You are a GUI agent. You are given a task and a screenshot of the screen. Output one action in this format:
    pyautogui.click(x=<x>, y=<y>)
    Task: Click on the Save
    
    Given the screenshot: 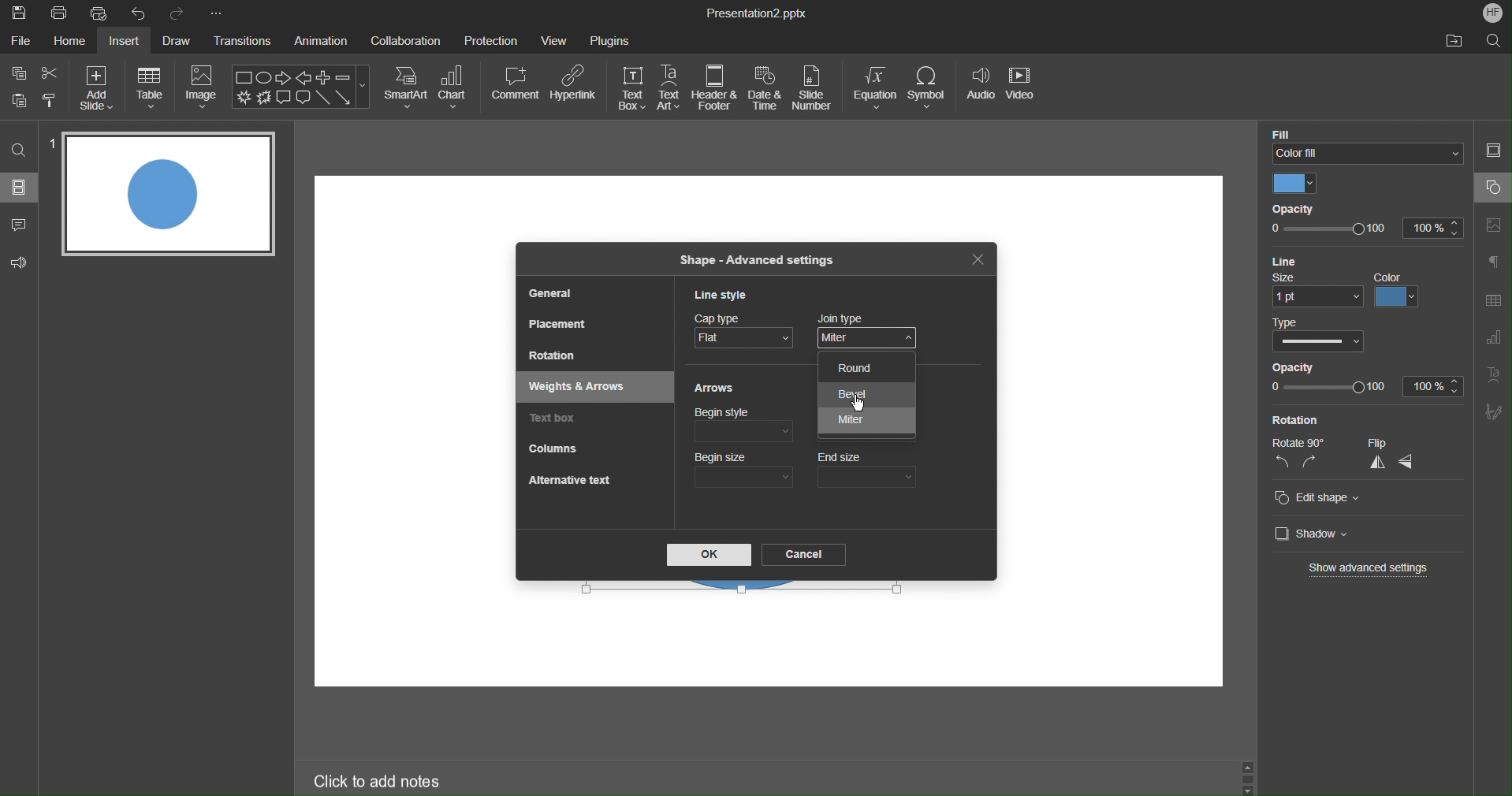 What is the action you would take?
    pyautogui.click(x=18, y=13)
    